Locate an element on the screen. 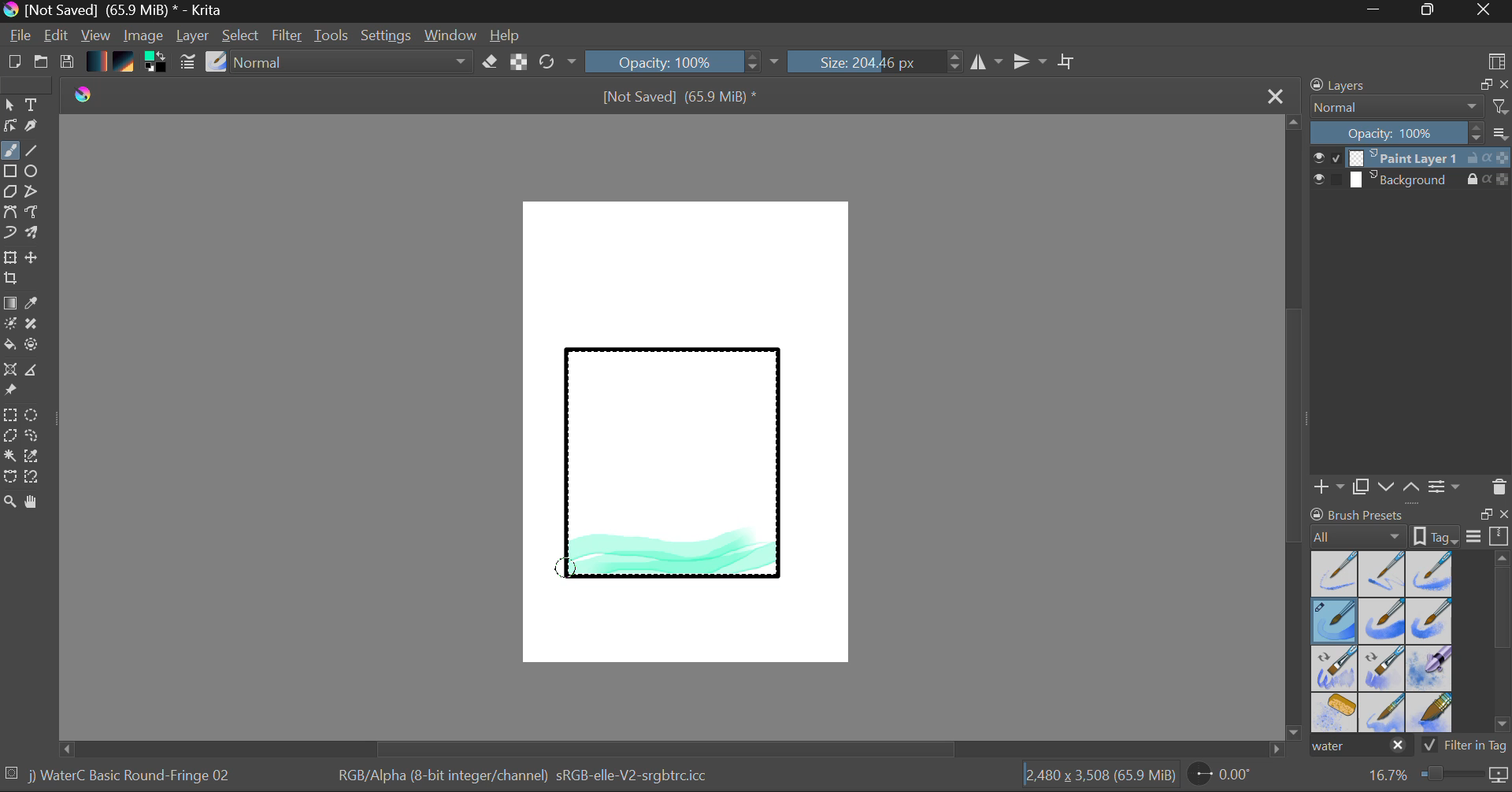 The height and width of the screenshot is (792, 1512). Lock Alpha is located at coordinates (517, 63).